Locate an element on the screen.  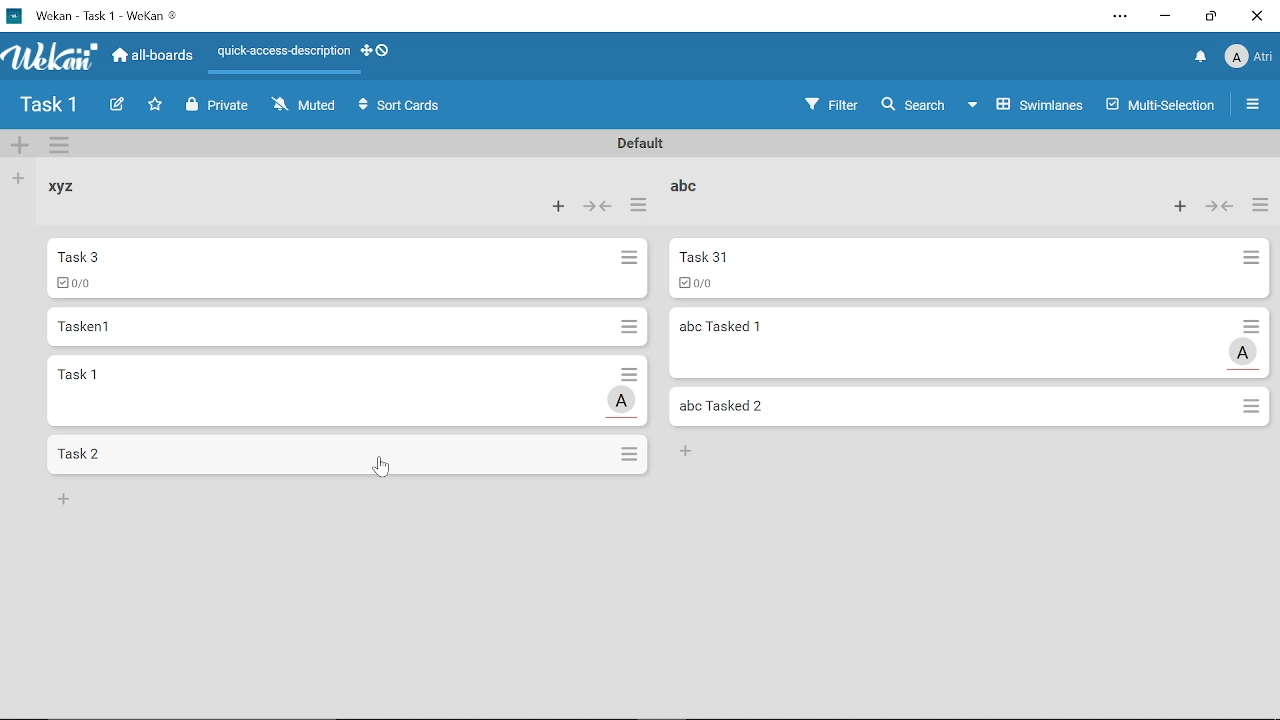
Collapse is located at coordinates (1221, 207).